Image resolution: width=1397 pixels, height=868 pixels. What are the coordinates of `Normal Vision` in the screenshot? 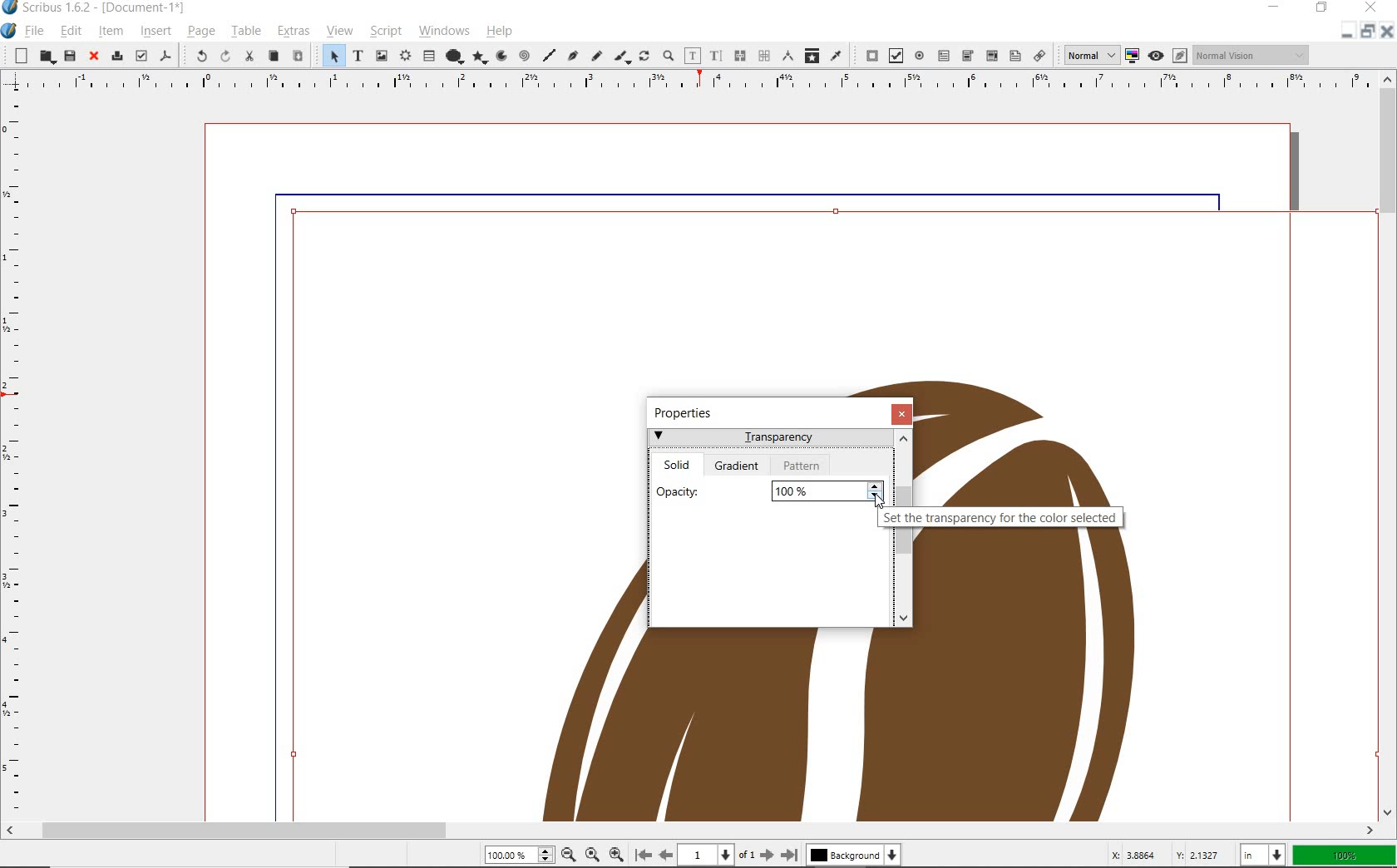 It's located at (1253, 54).